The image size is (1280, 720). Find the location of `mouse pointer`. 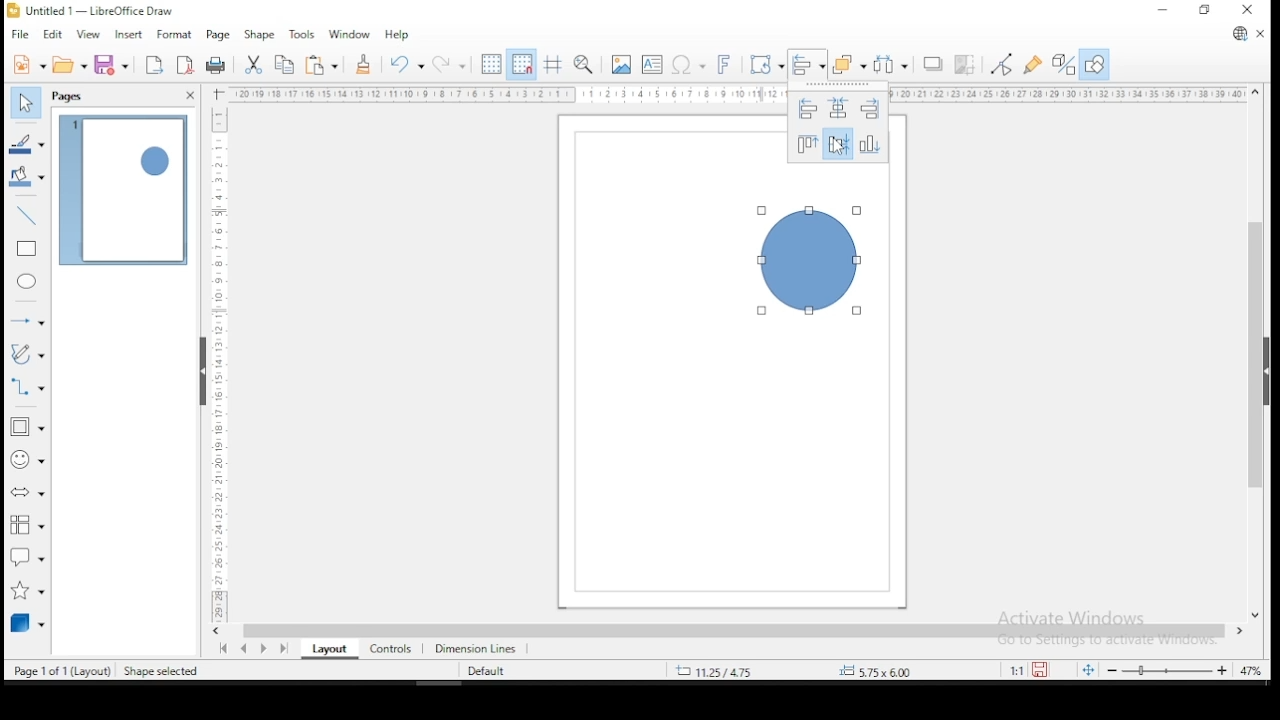

mouse pointer is located at coordinates (840, 147).